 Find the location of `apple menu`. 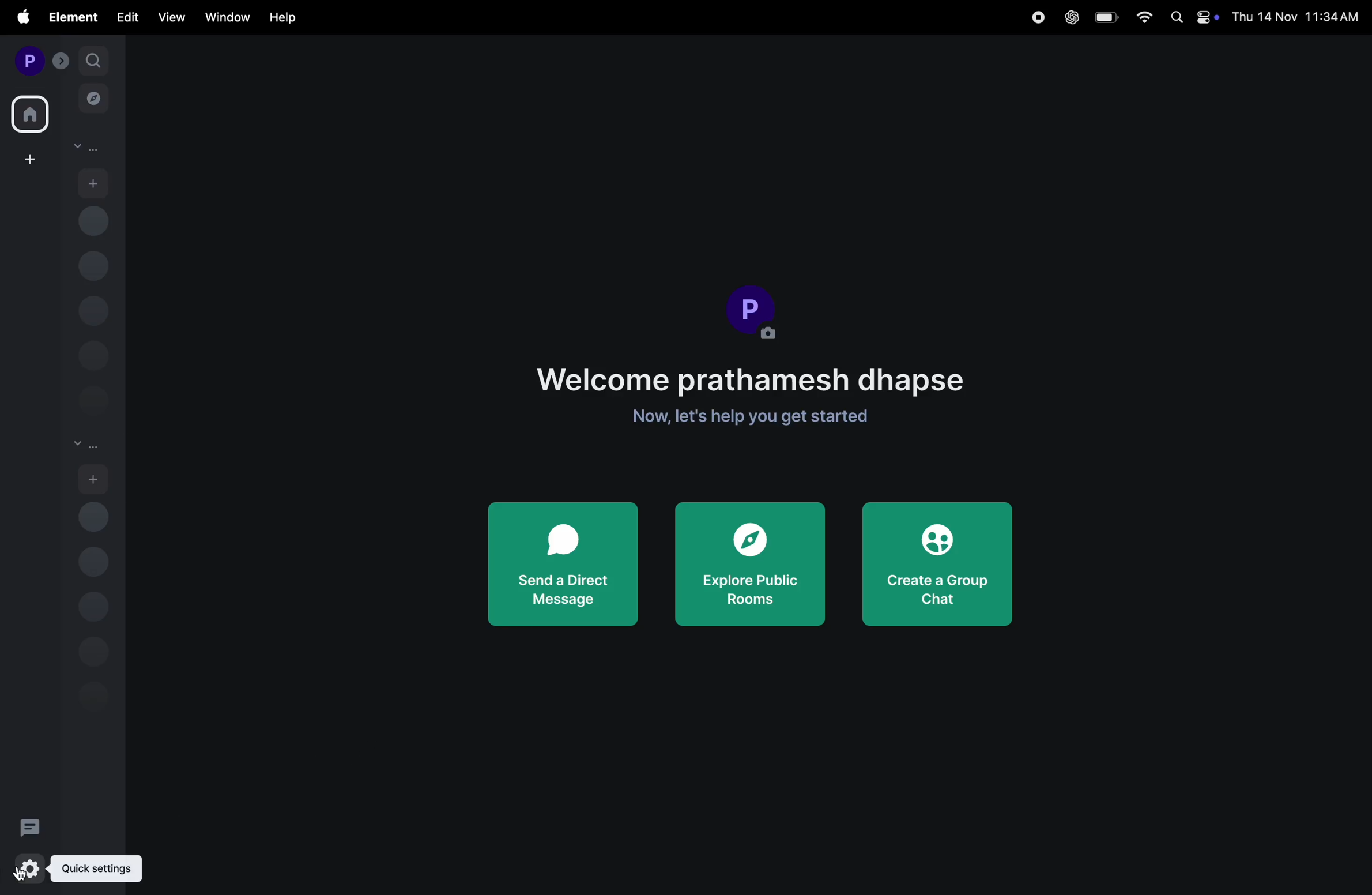

apple menu is located at coordinates (17, 18).